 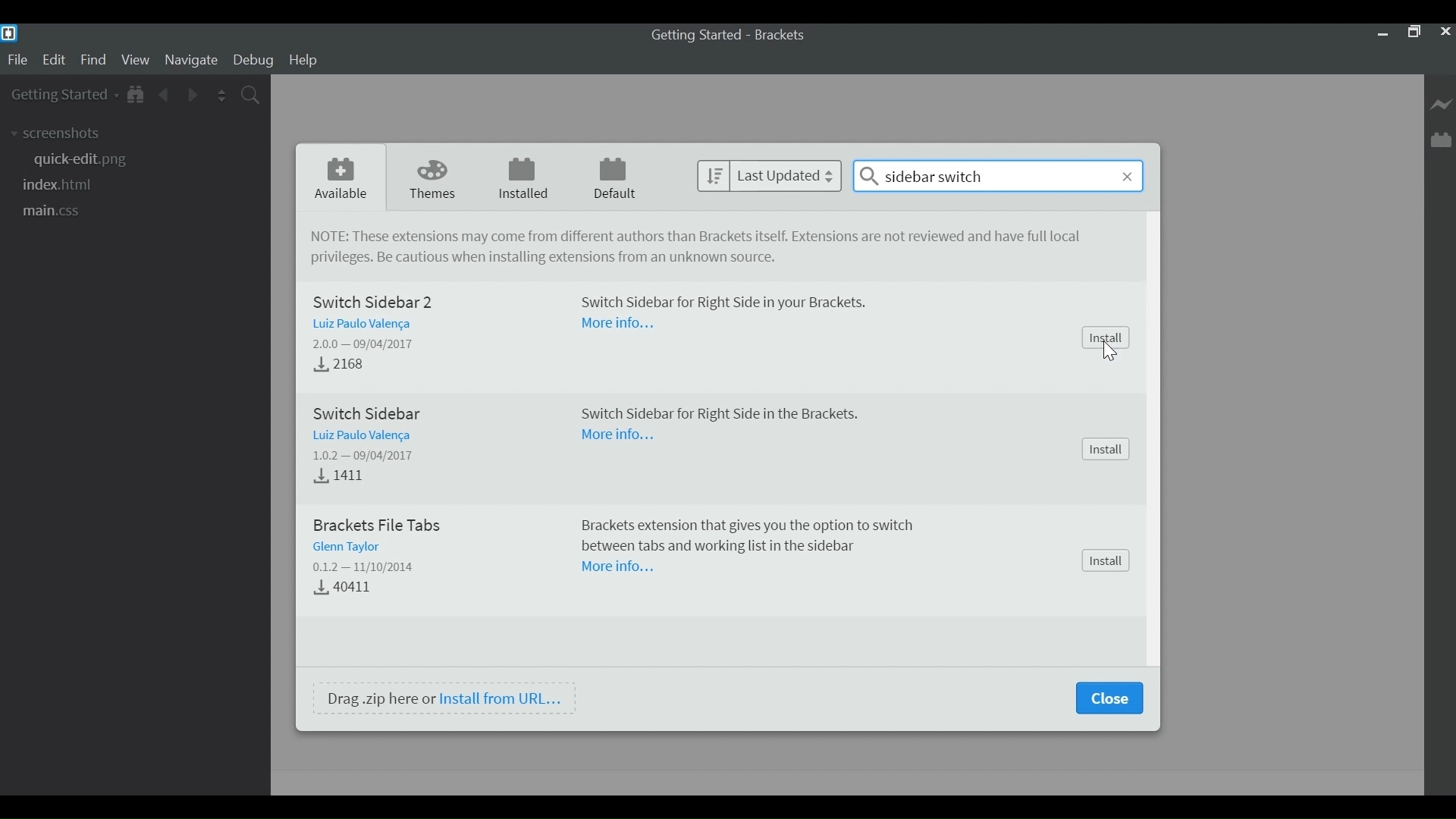 What do you see at coordinates (527, 178) in the screenshot?
I see `Installed ` at bounding box center [527, 178].